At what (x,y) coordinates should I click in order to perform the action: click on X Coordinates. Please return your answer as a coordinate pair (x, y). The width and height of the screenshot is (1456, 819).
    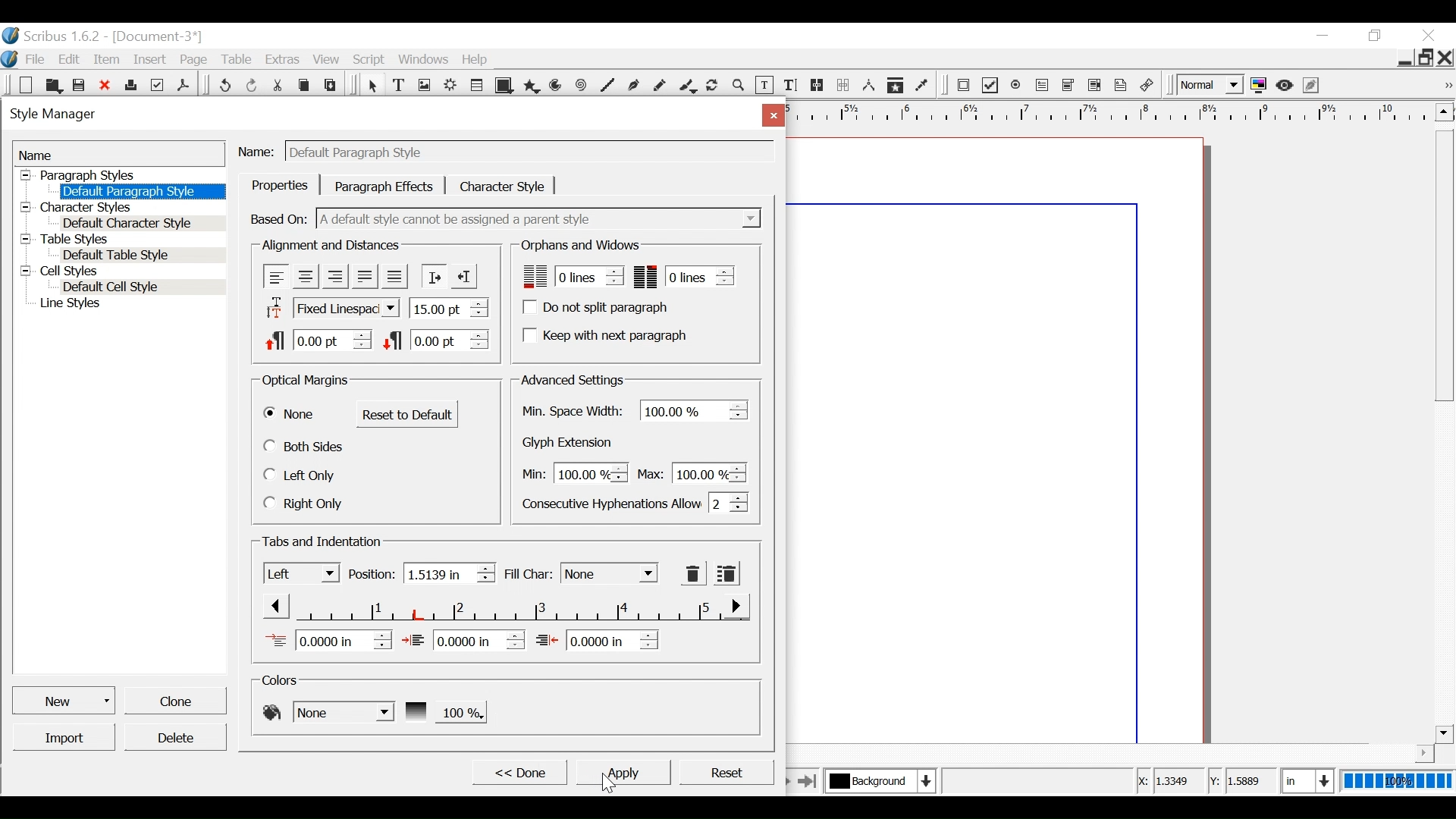
    Looking at the image, I should click on (1169, 782).